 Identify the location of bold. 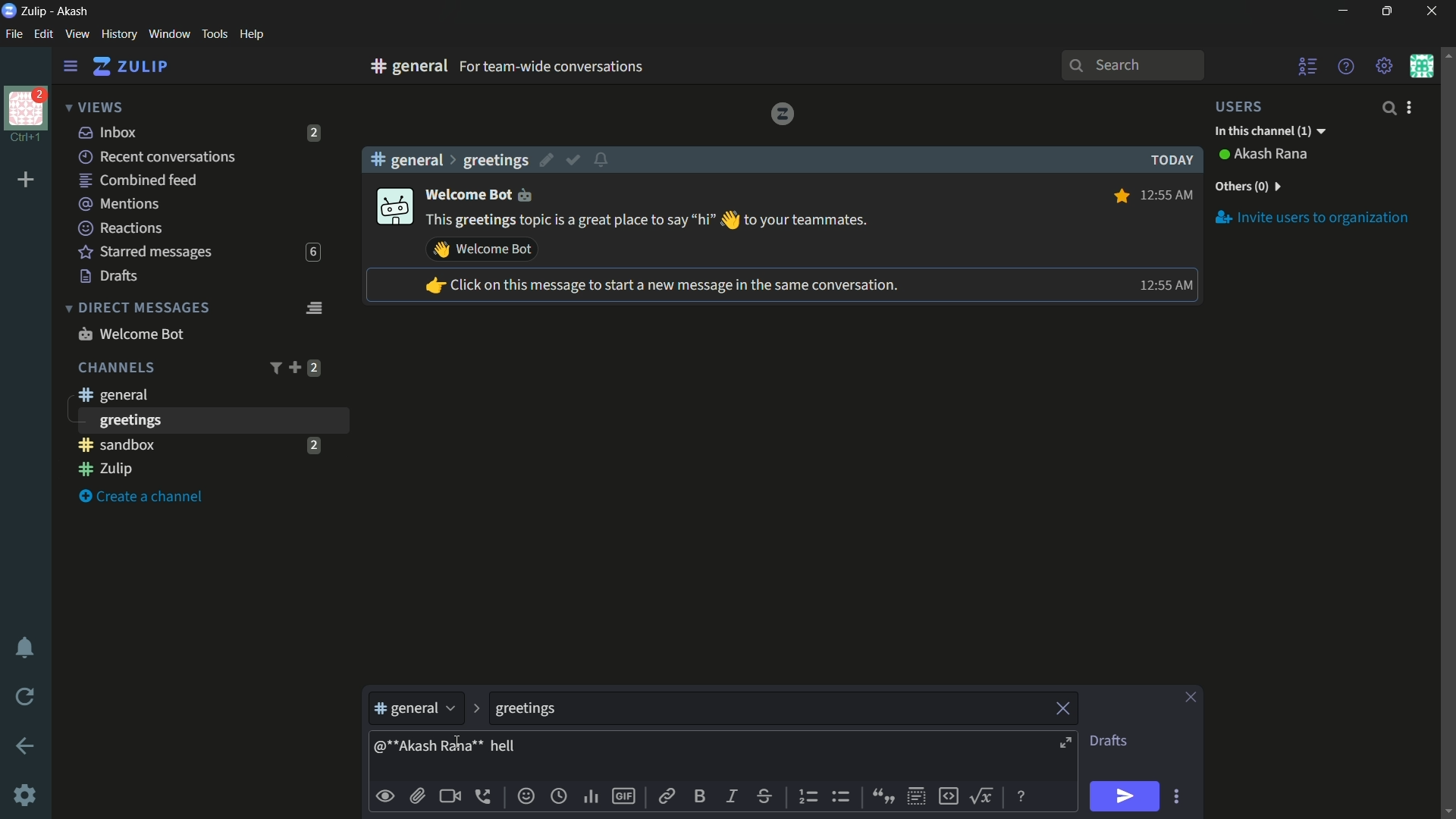
(701, 795).